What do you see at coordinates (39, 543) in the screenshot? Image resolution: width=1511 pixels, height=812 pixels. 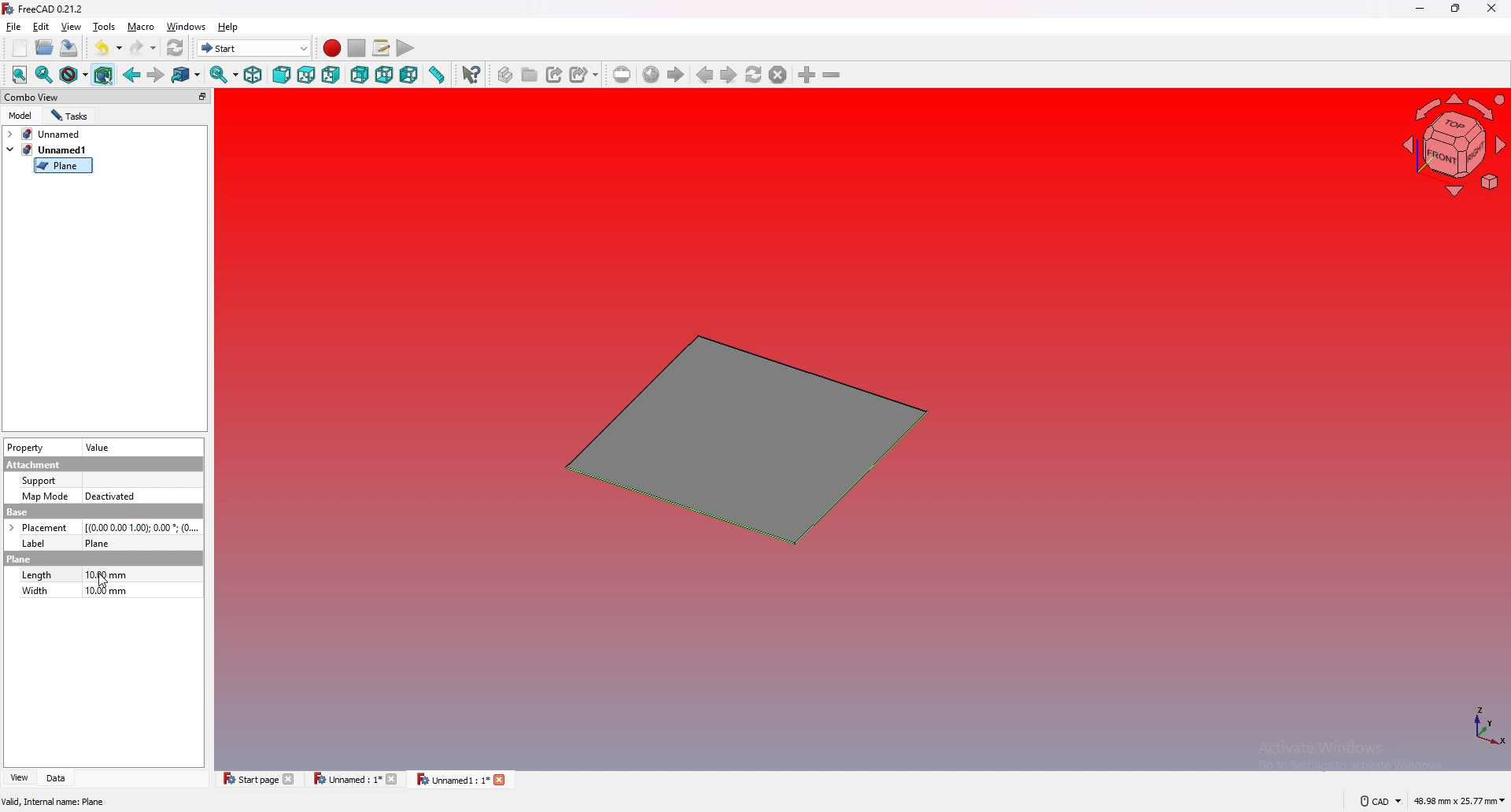 I see `Label` at bounding box center [39, 543].